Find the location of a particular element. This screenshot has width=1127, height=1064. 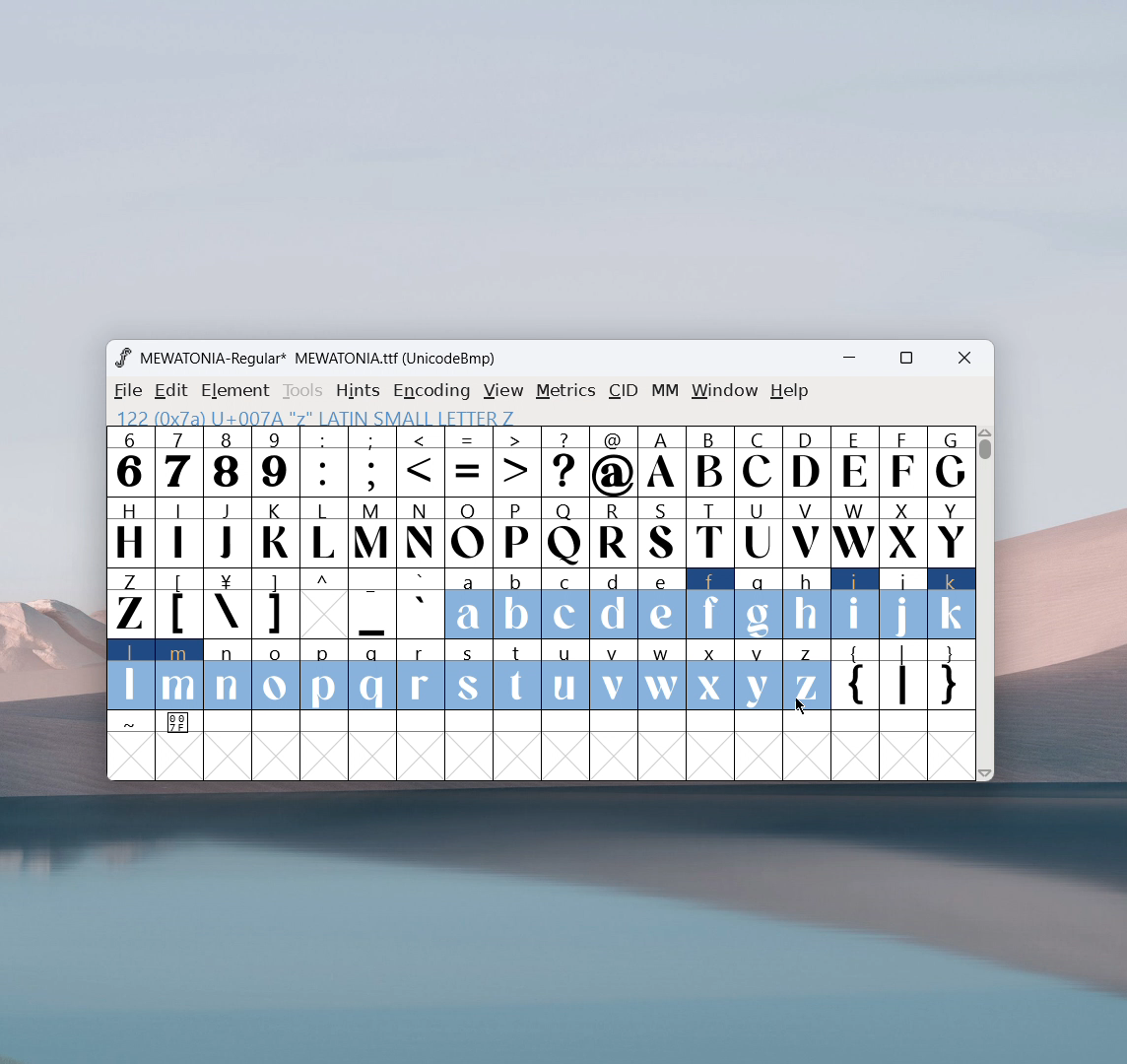

encoding is located at coordinates (431, 389).